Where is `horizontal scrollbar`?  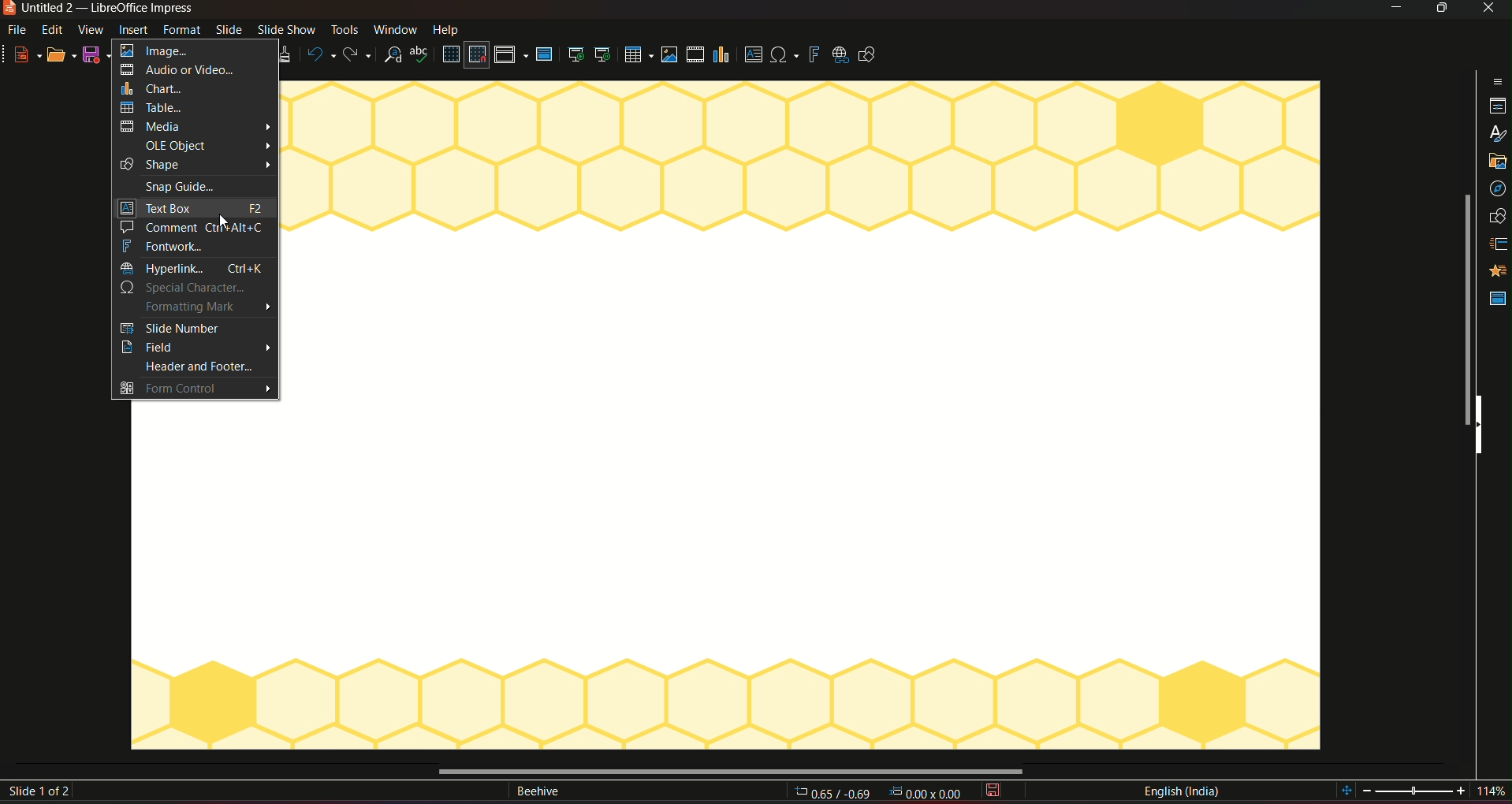 horizontal scrollbar is located at coordinates (728, 769).